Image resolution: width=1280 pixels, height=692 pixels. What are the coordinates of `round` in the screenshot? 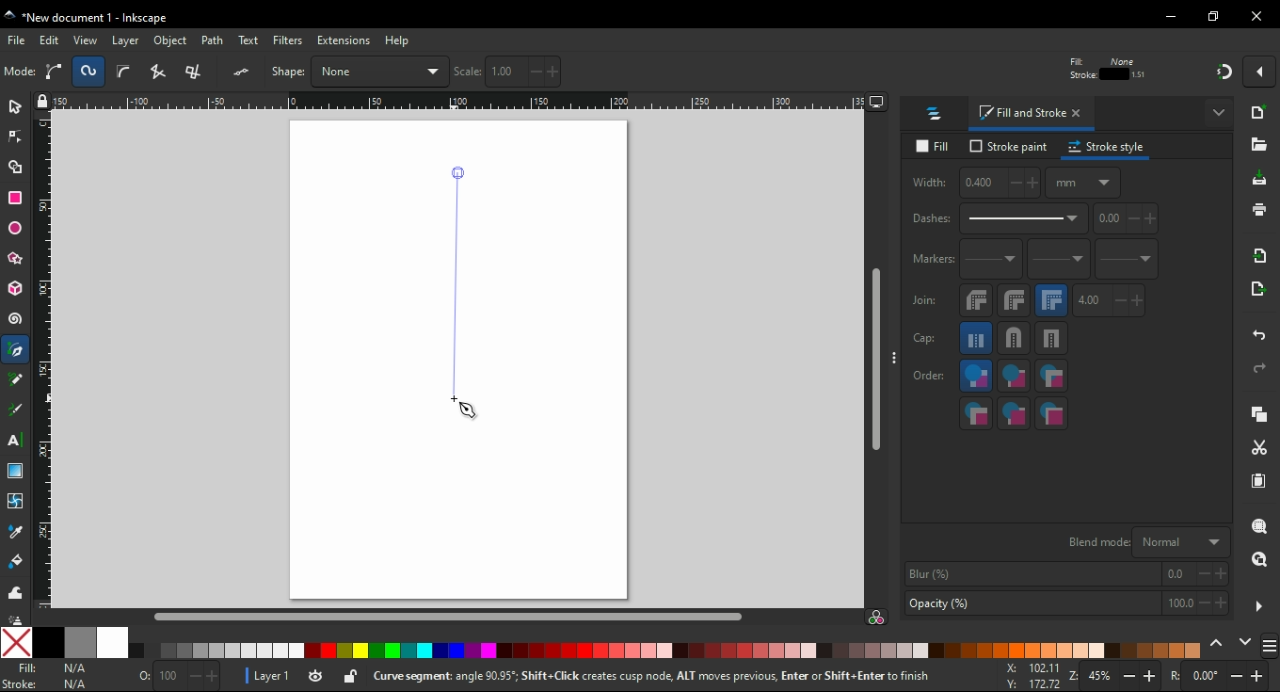 It's located at (1013, 338).